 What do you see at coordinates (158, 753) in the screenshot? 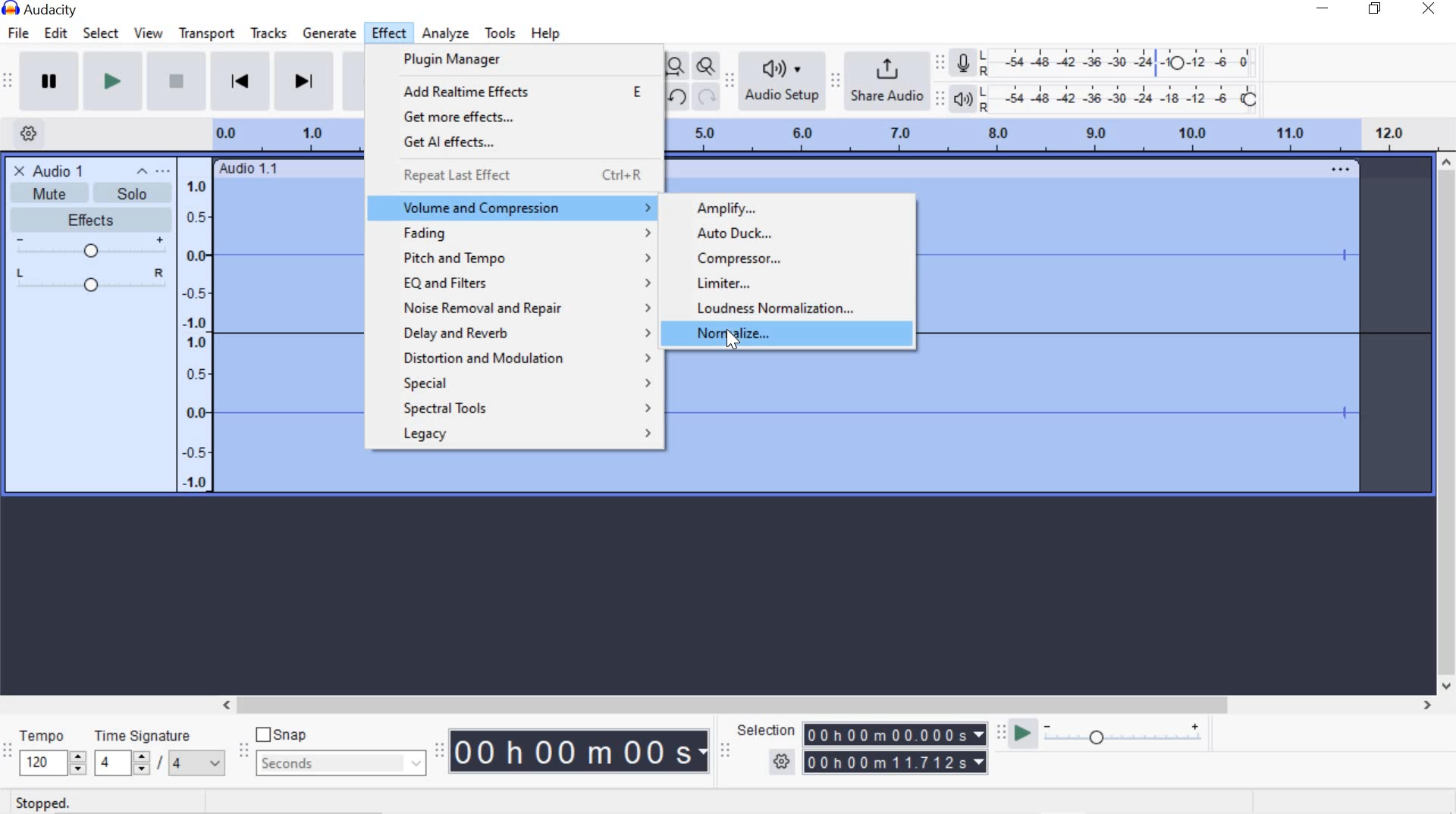
I see `TIME SIGNATURE` at bounding box center [158, 753].